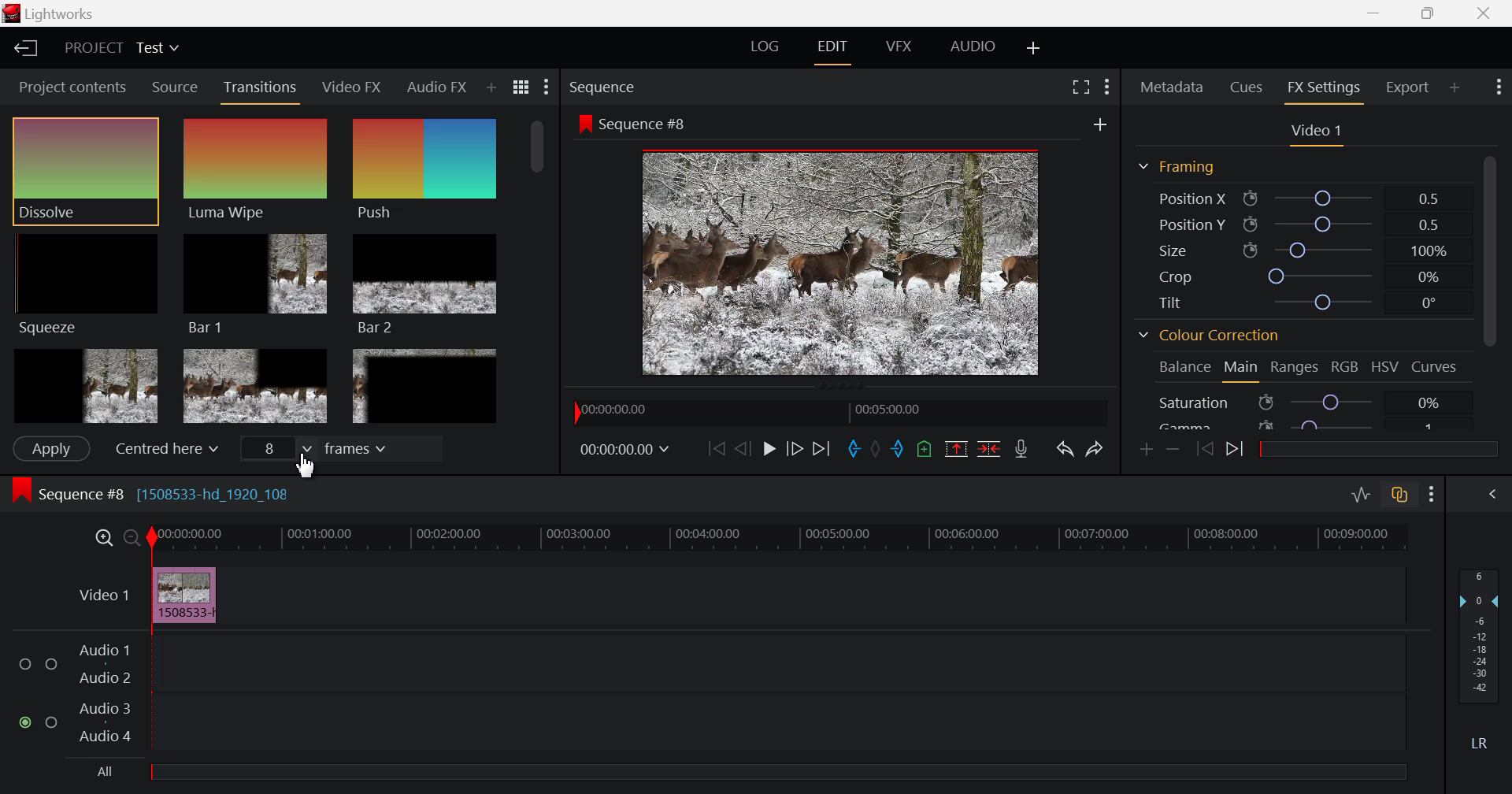 The width and height of the screenshot is (1512, 794). Describe the element at coordinates (1208, 450) in the screenshot. I see `Previous keyframe` at that location.